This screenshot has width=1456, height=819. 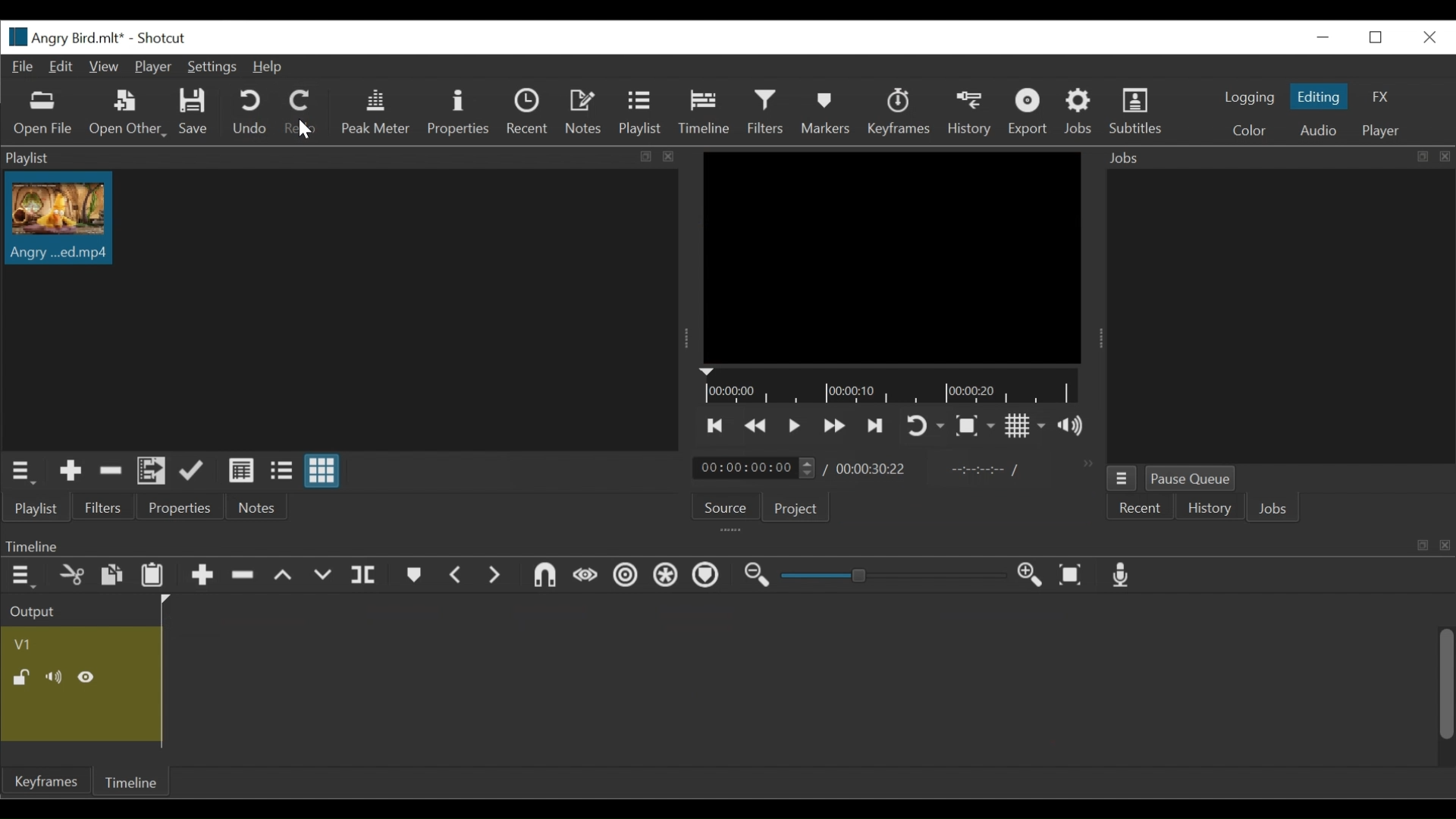 I want to click on Hide, so click(x=89, y=676).